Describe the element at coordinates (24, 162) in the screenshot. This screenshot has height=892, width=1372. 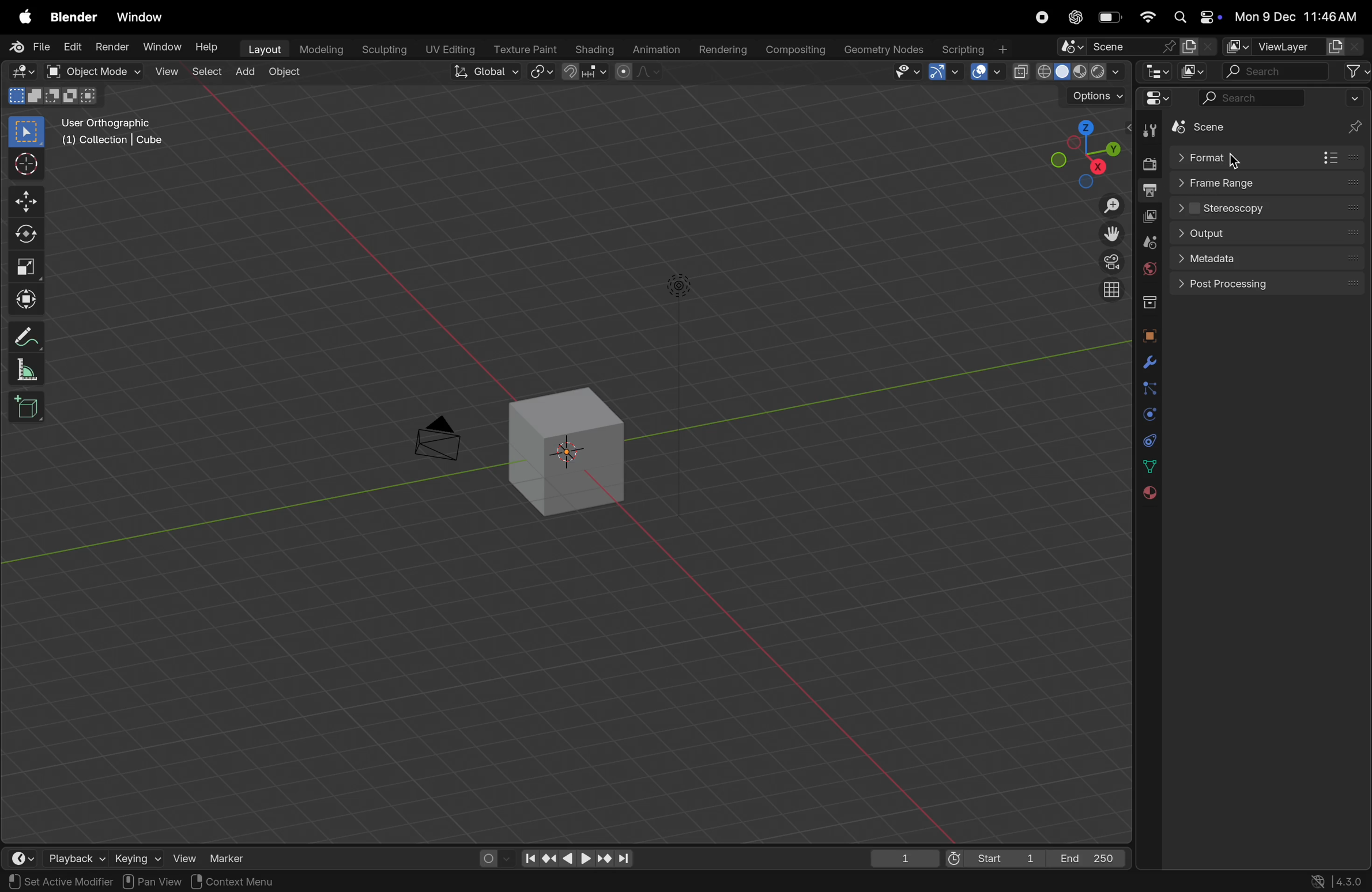
I see `cursor` at that location.